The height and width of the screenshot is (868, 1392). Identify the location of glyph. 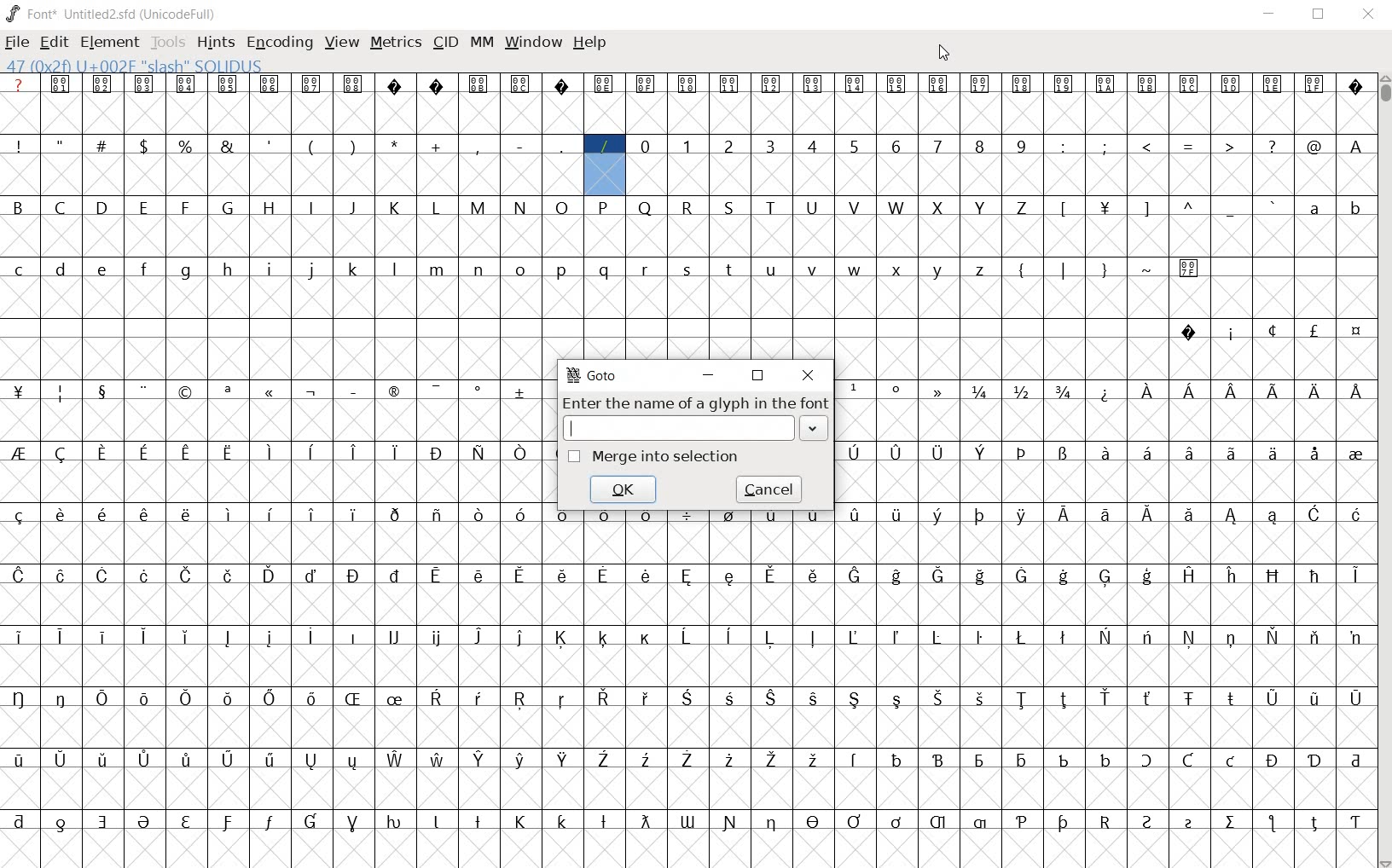
(647, 576).